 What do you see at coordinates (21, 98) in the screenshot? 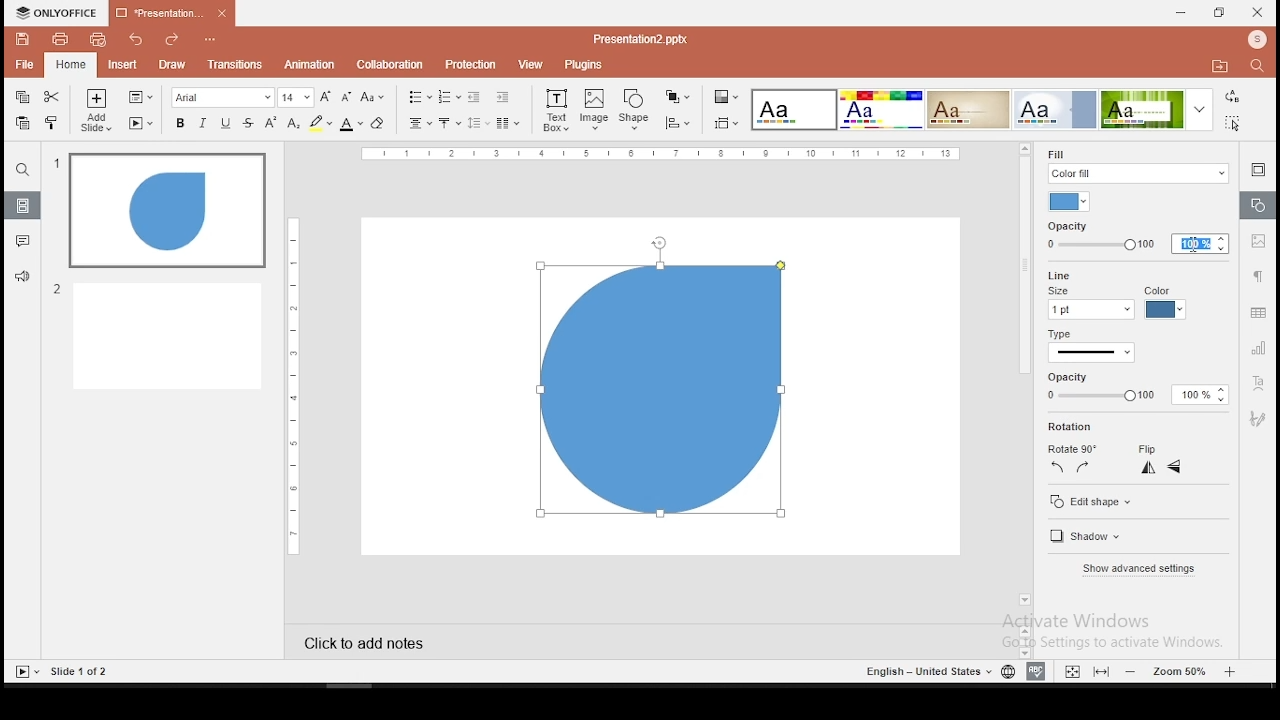
I see `copy` at bounding box center [21, 98].